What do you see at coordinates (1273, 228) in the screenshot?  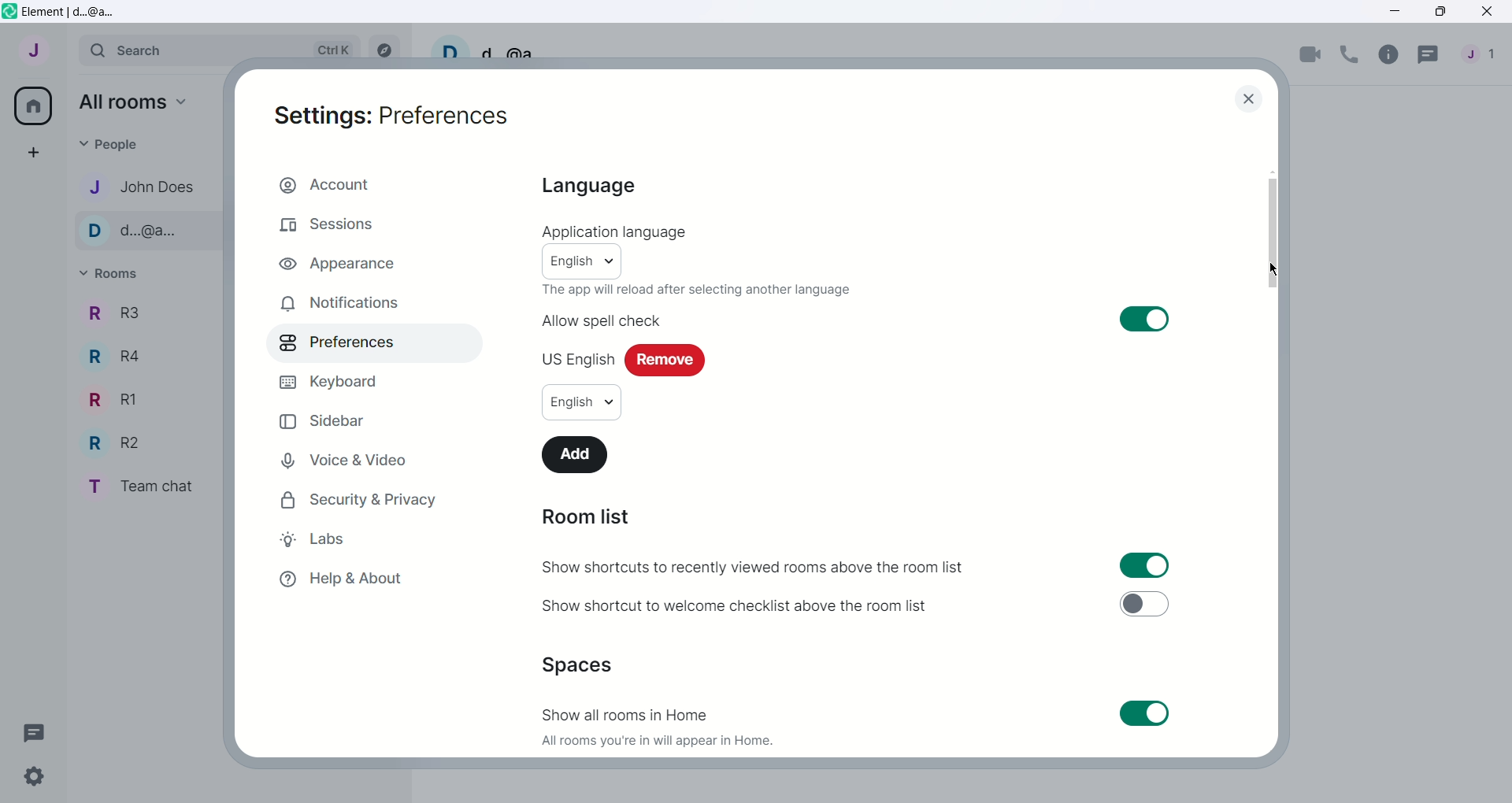 I see `Vertical slide bar` at bounding box center [1273, 228].